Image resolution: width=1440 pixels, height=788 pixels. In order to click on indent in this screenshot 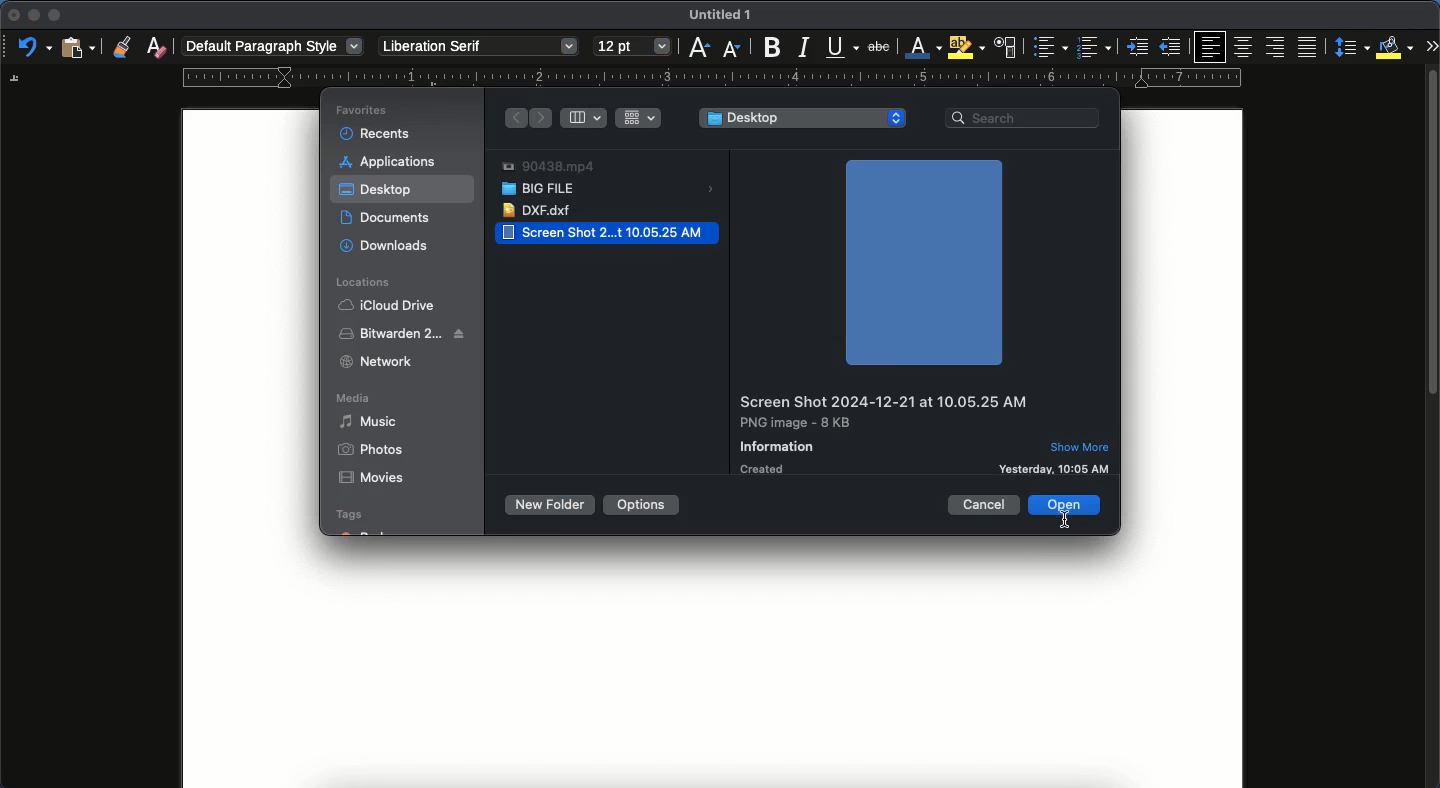, I will do `click(1139, 47)`.